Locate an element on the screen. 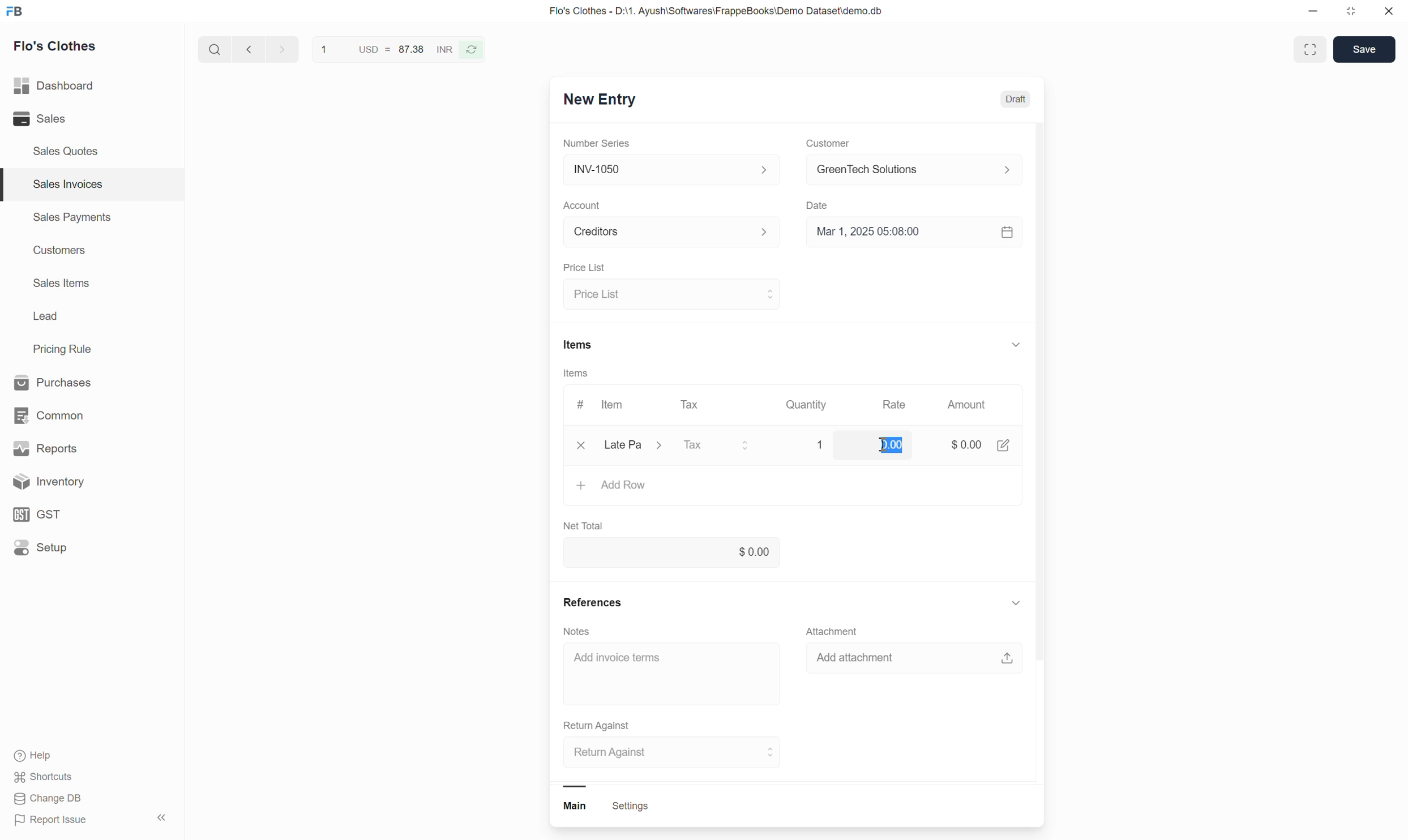 The height and width of the screenshot is (840, 1408). Select Number series is located at coordinates (669, 169).